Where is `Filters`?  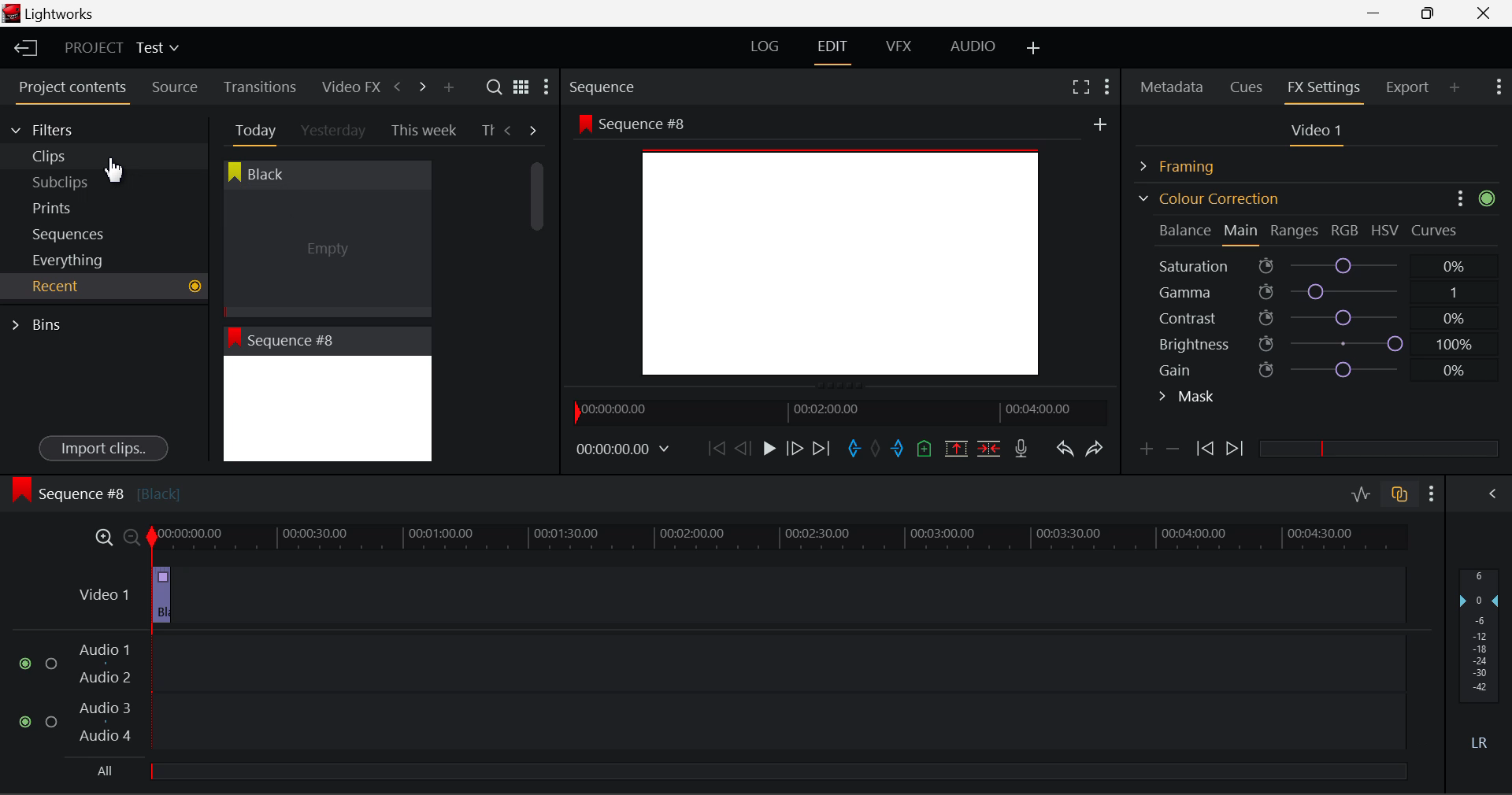 Filters is located at coordinates (57, 128).